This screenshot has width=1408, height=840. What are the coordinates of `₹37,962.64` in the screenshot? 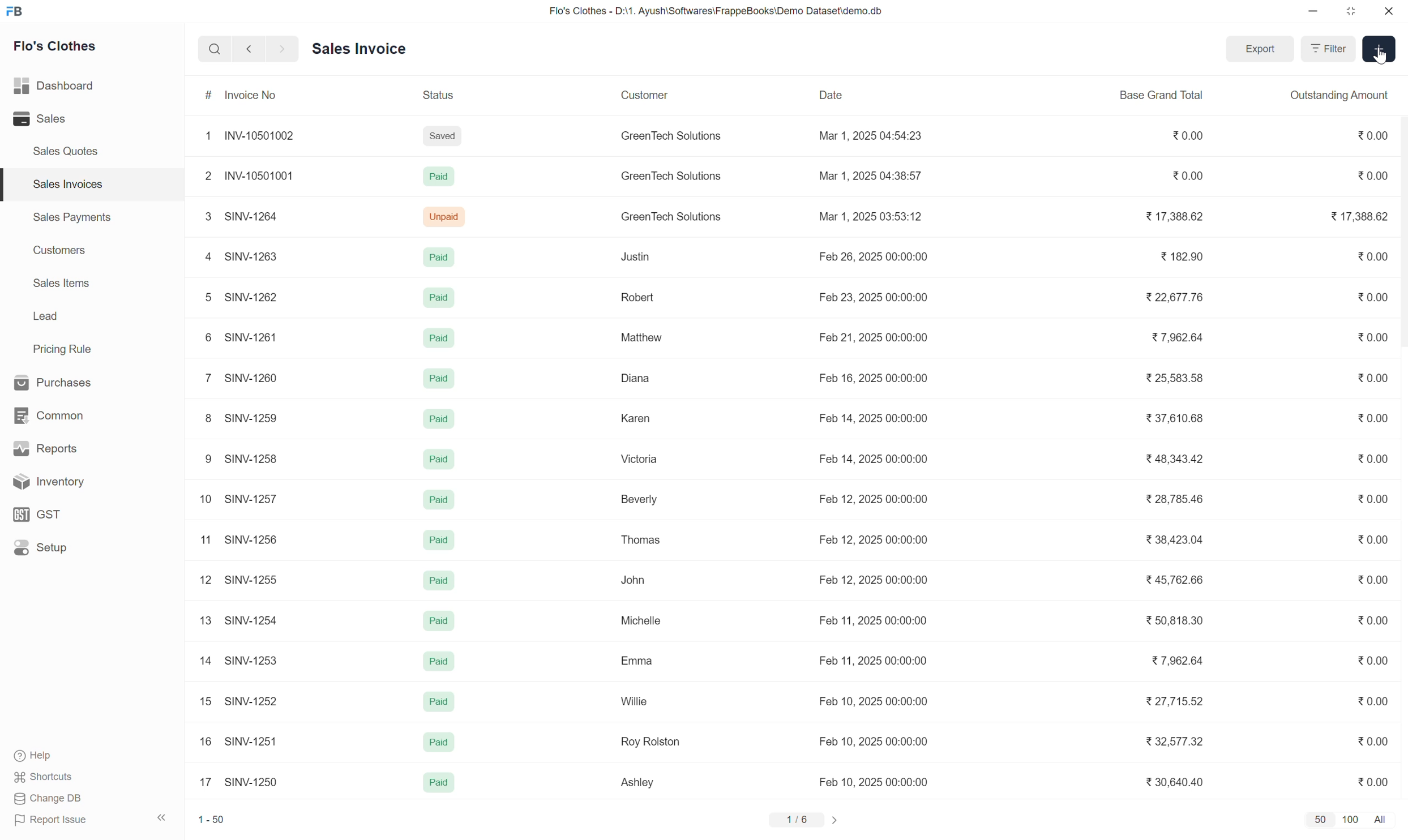 It's located at (1182, 337).